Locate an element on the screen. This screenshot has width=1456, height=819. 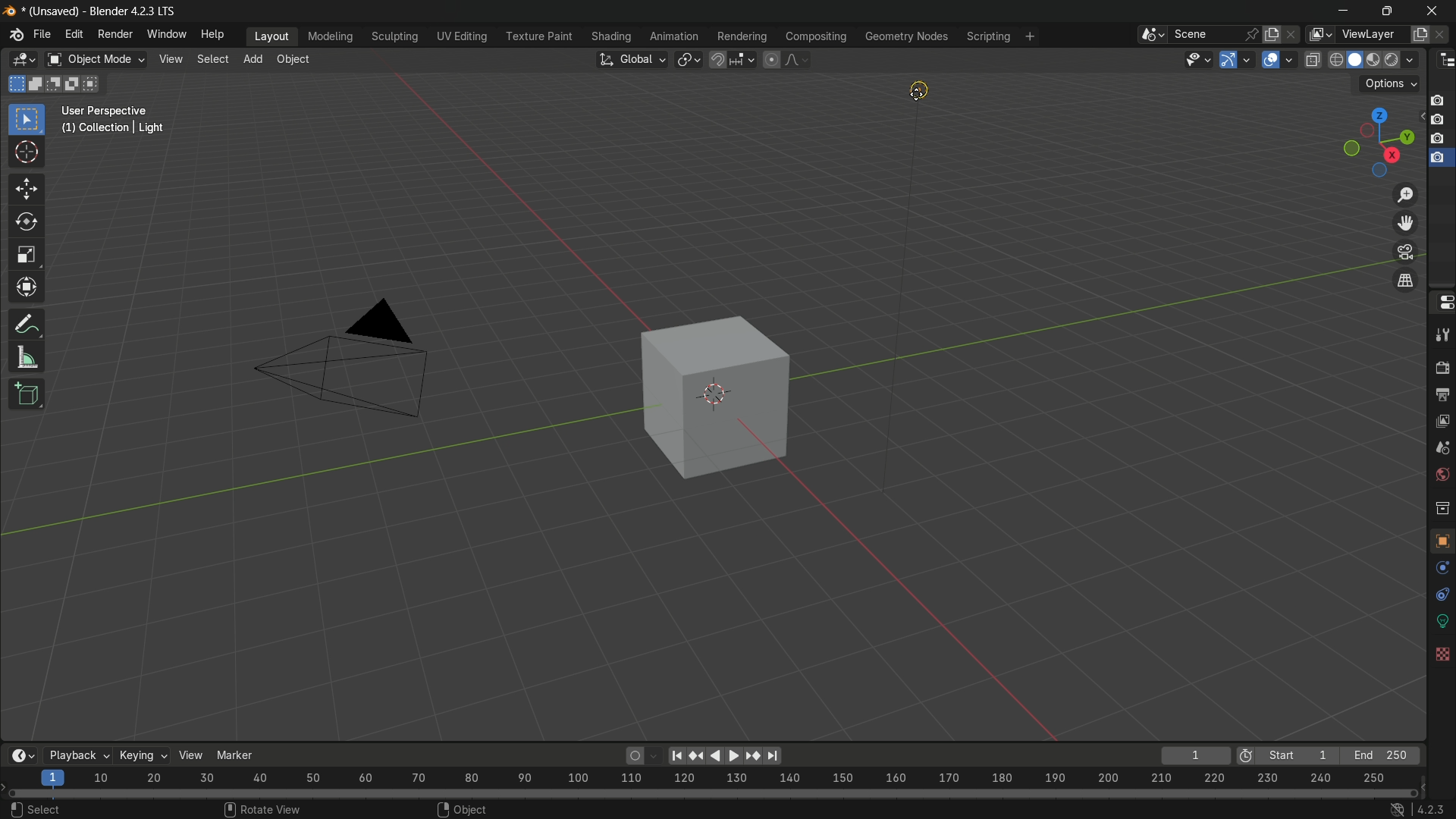
(unsaved) - blender 4.2.3 lts is located at coordinates (95, 11).